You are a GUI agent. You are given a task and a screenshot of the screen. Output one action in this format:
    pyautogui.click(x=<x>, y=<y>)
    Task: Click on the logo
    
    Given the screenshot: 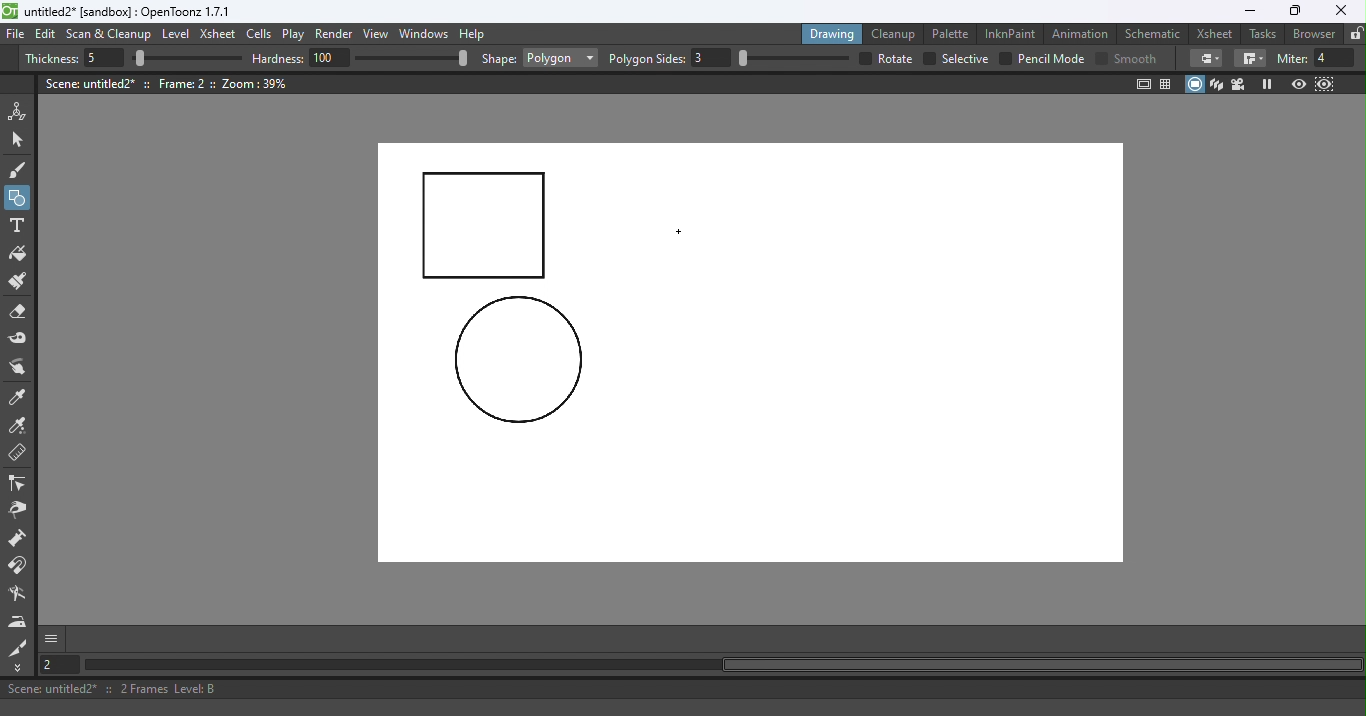 What is the action you would take?
    pyautogui.click(x=10, y=11)
    